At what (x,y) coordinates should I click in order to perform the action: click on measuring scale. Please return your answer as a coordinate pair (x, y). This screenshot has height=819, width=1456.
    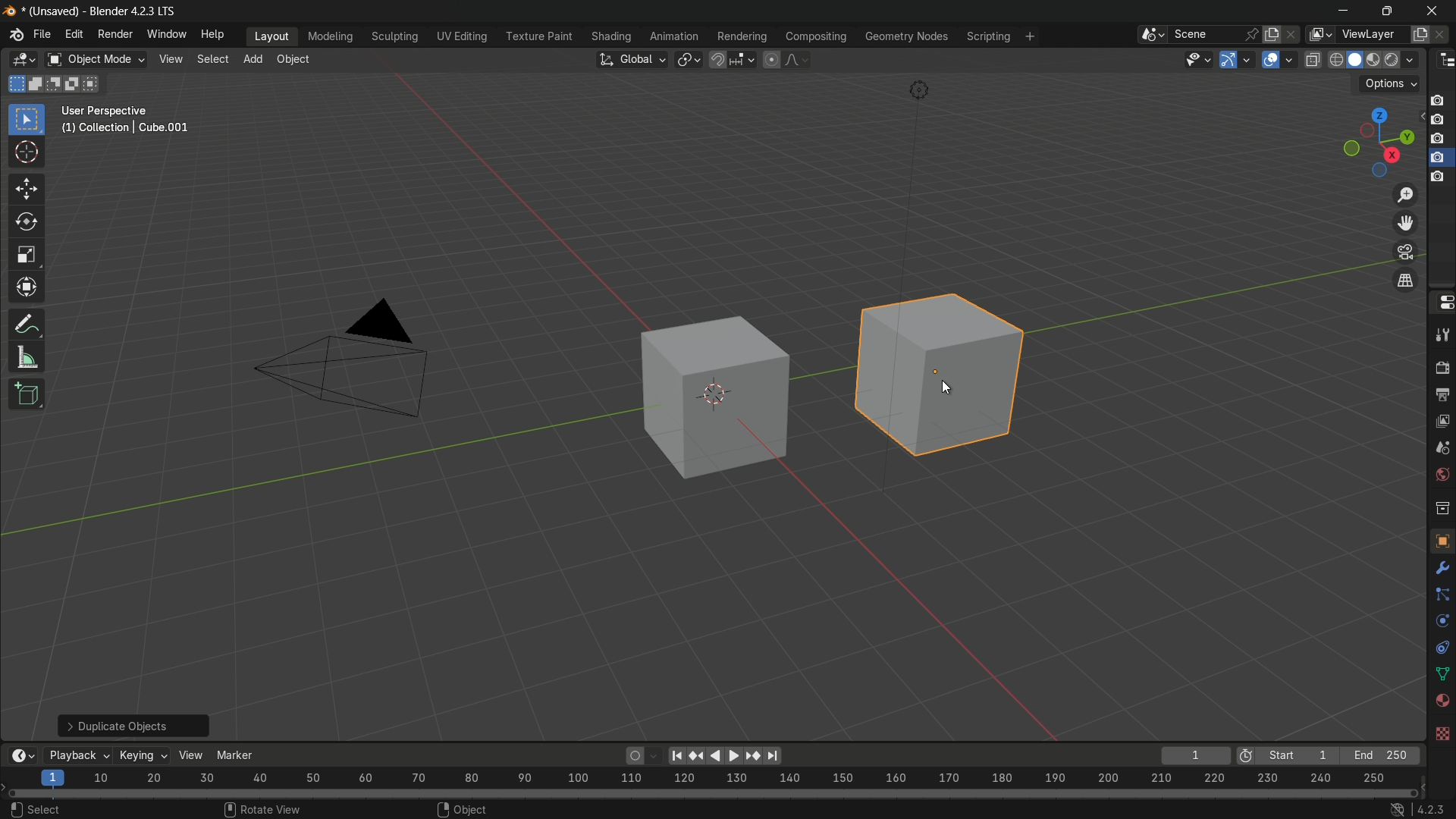
    Looking at the image, I should click on (707, 780).